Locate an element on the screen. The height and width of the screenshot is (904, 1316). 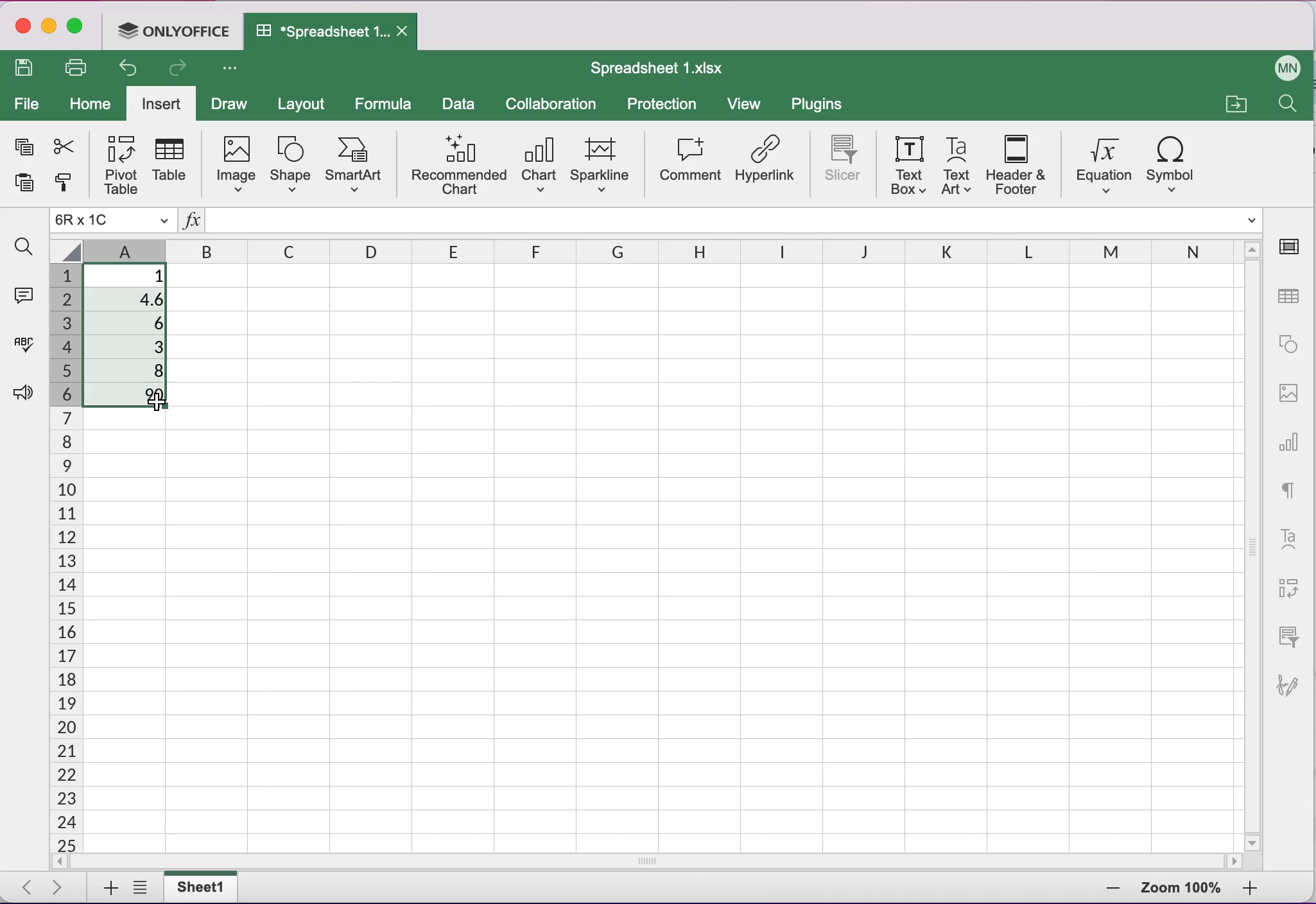
text is located at coordinates (1292, 492).